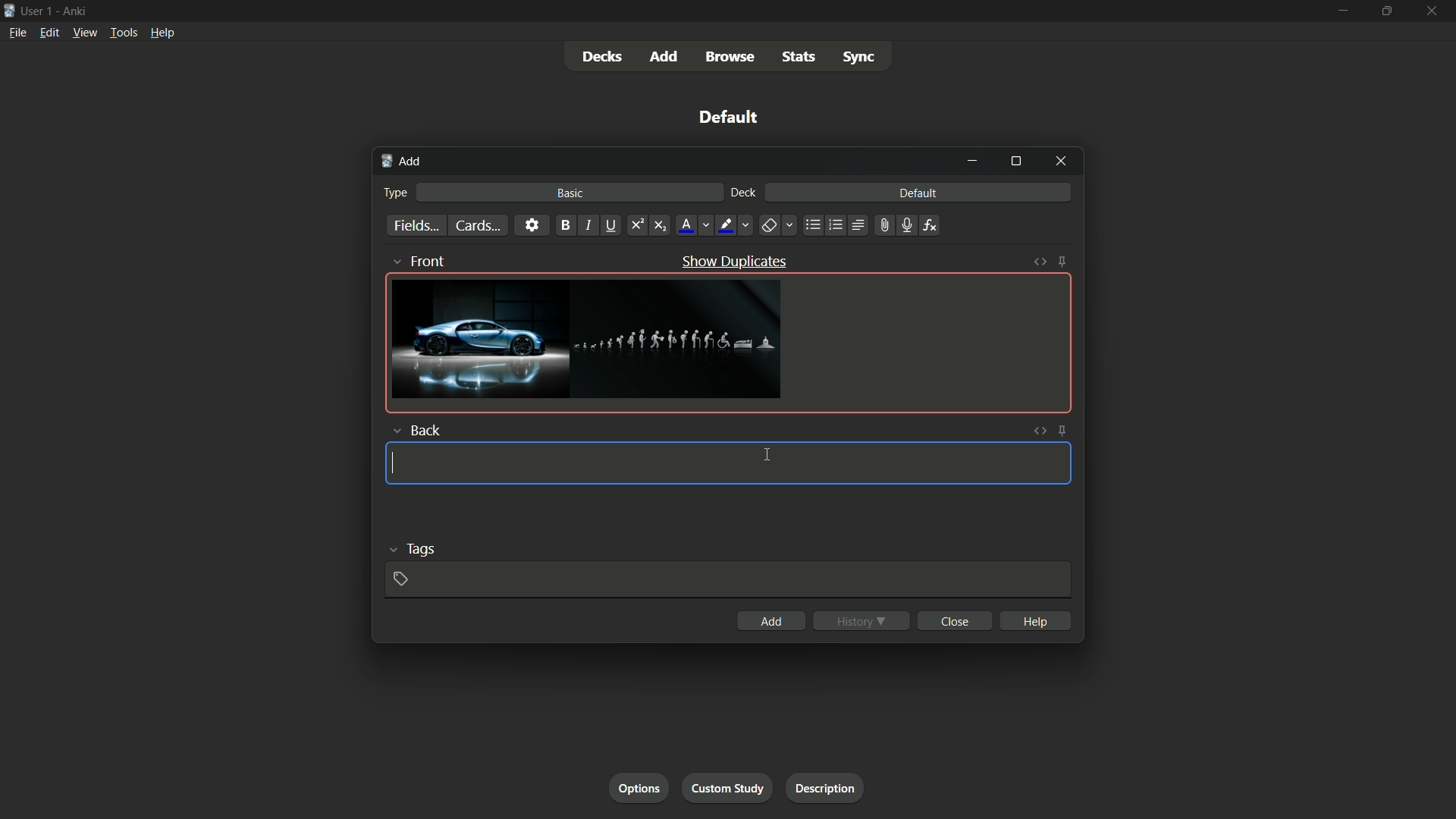  What do you see at coordinates (862, 621) in the screenshot?
I see `history` at bounding box center [862, 621].